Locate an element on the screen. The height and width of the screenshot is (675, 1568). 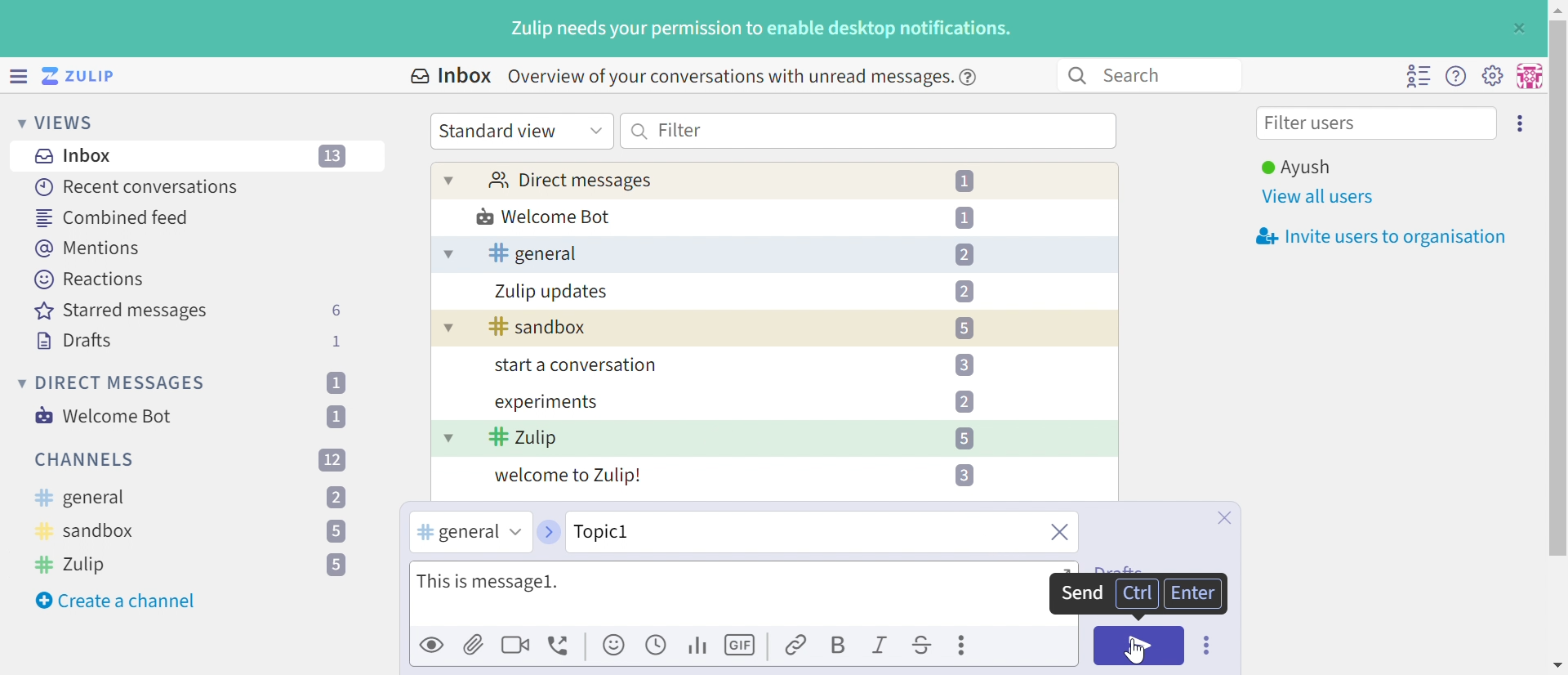
Link is located at coordinates (797, 646).